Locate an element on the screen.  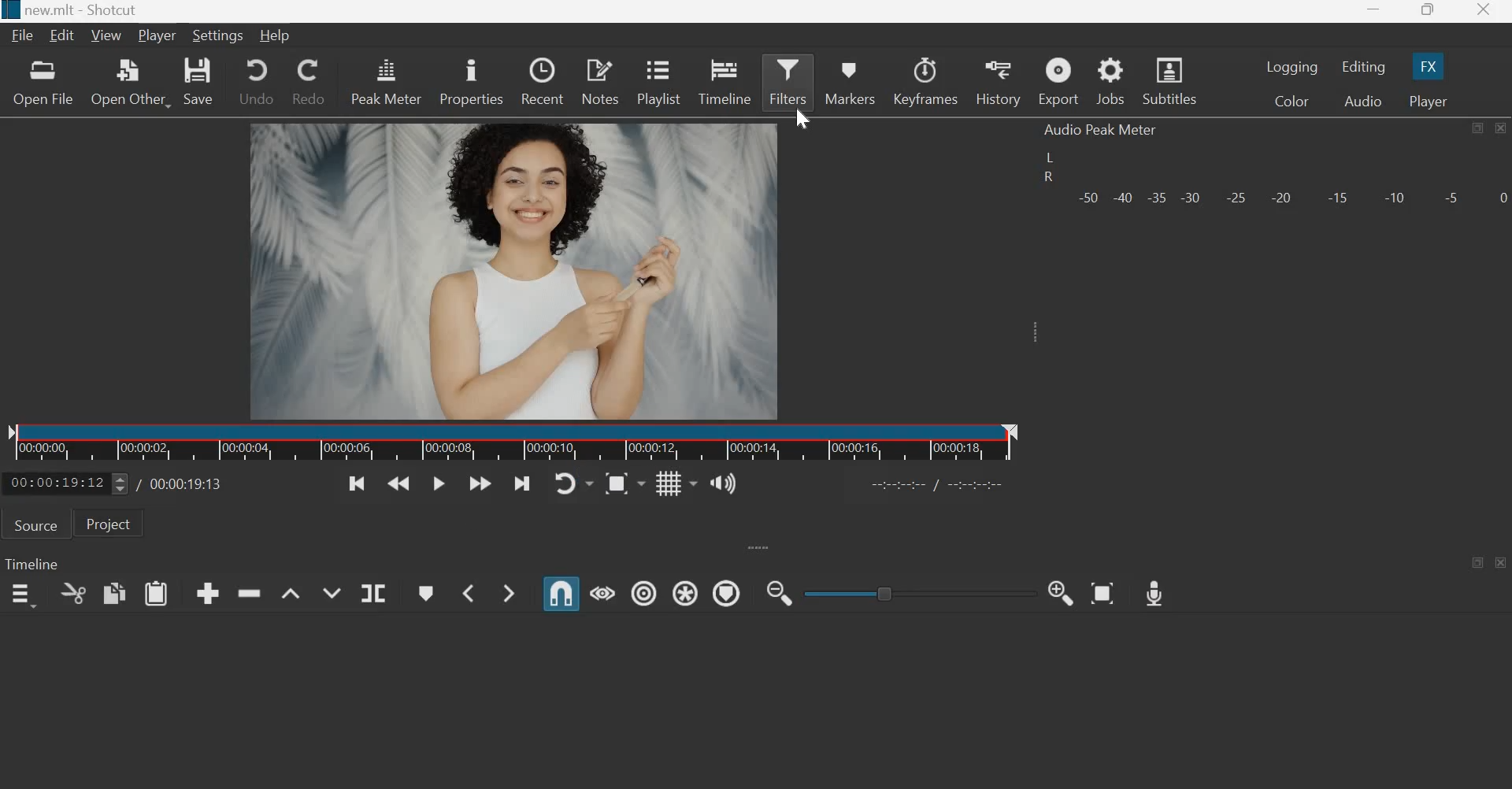
Ripple all tracks is located at coordinates (682, 591).